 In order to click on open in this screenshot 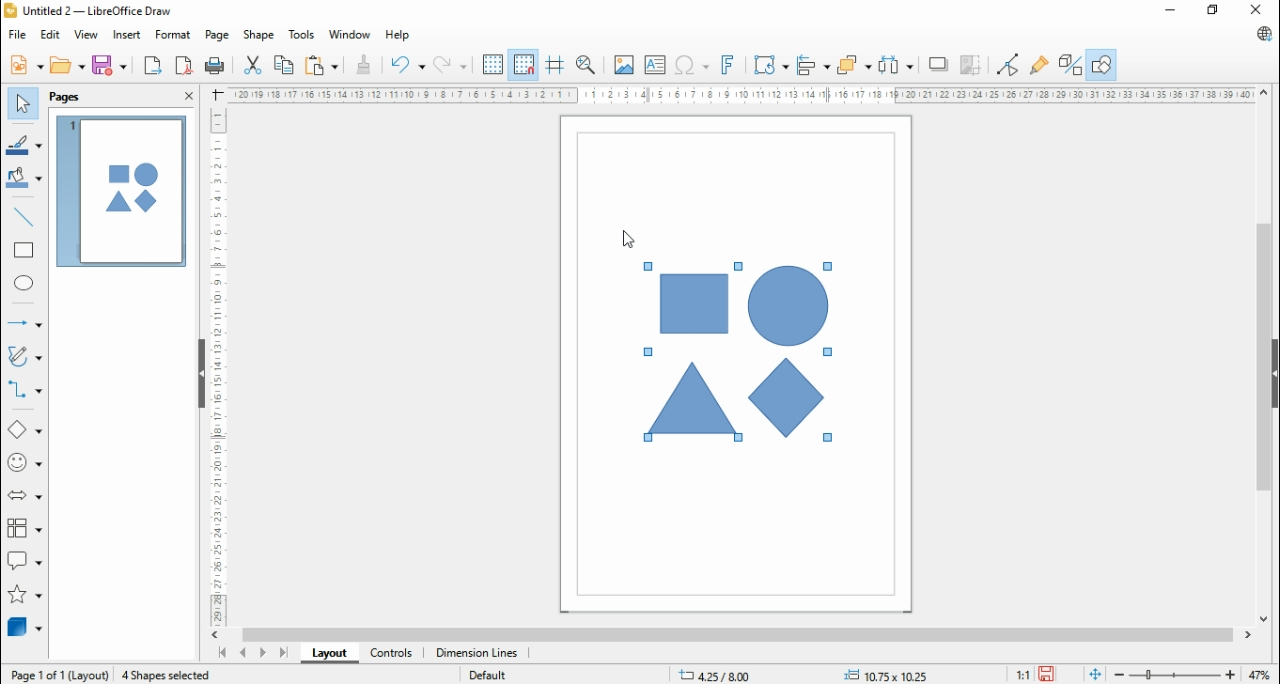, I will do `click(67, 64)`.